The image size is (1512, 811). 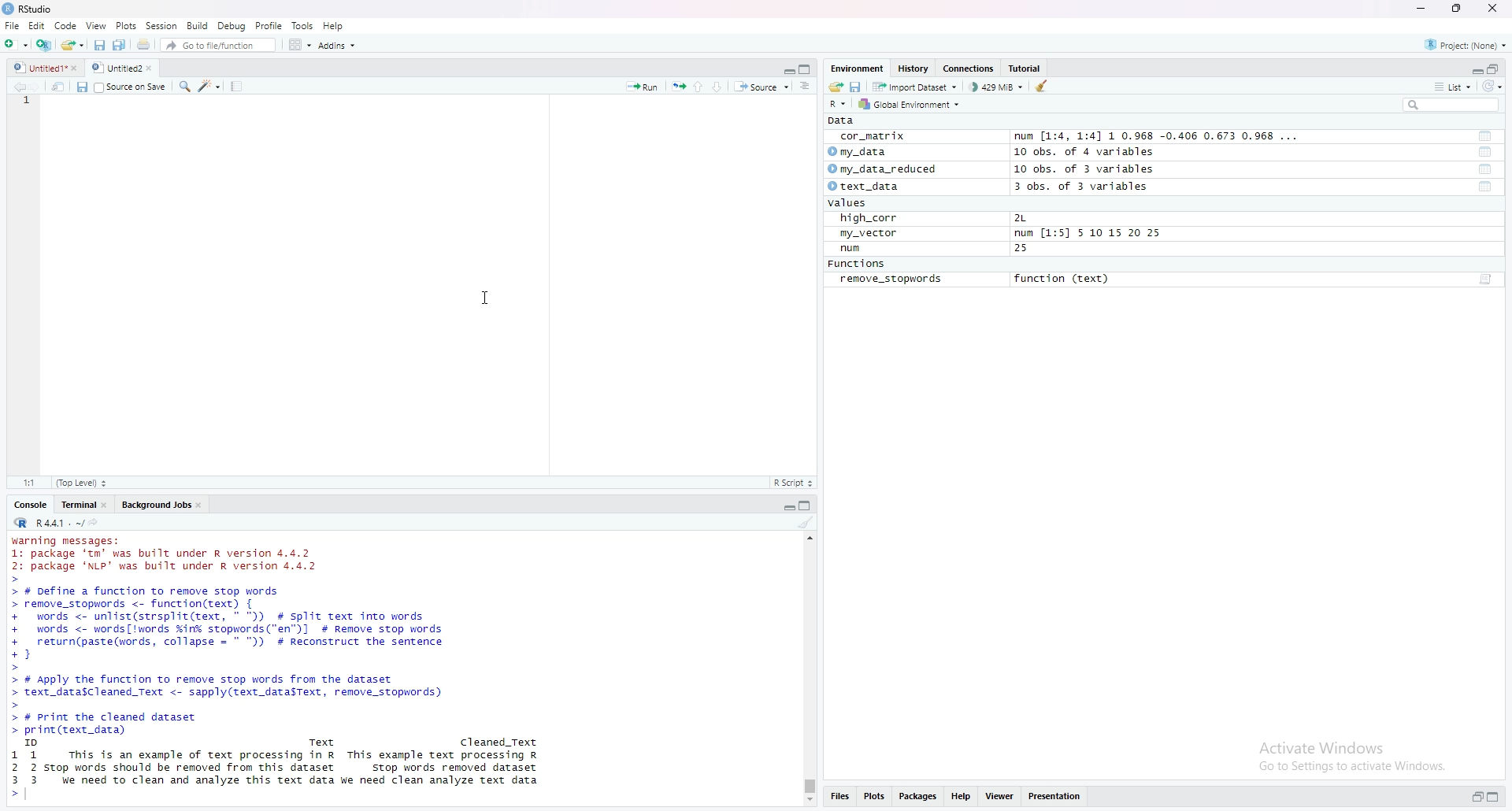 I want to click on R, so click(x=840, y=106).